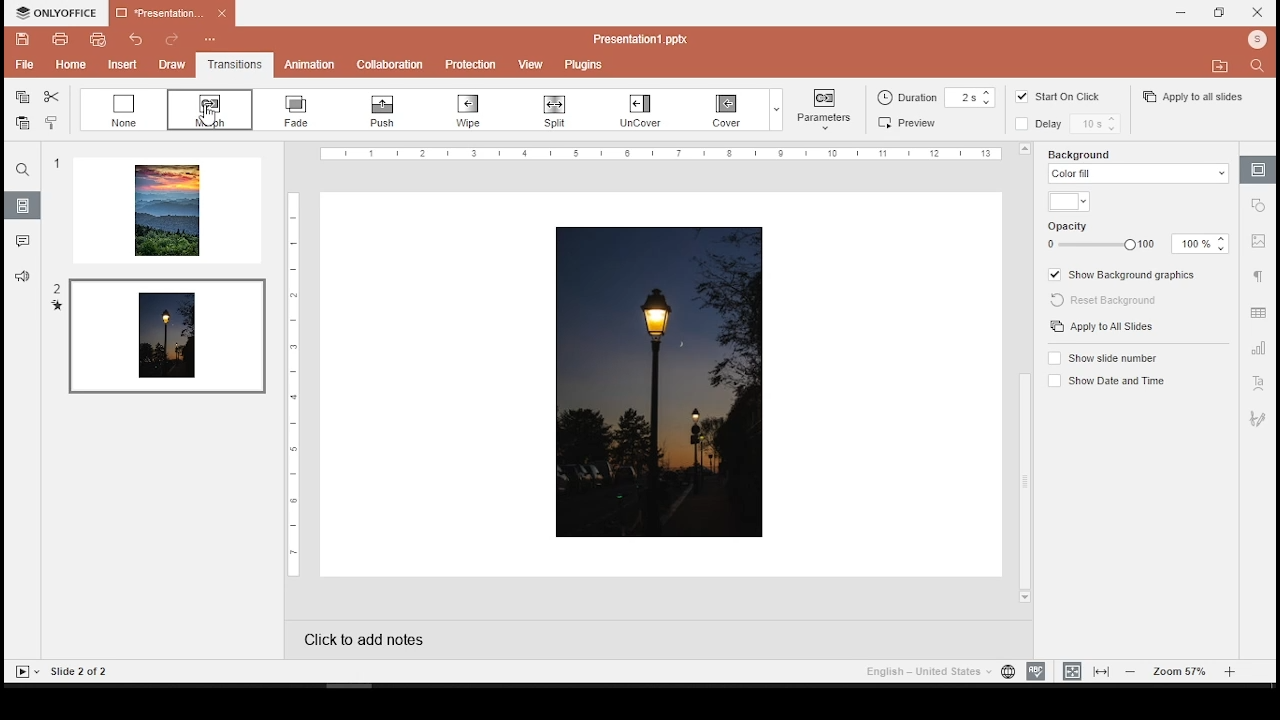  What do you see at coordinates (22, 97) in the screenshot?
I see `copy` at bounding box center [22, 97].